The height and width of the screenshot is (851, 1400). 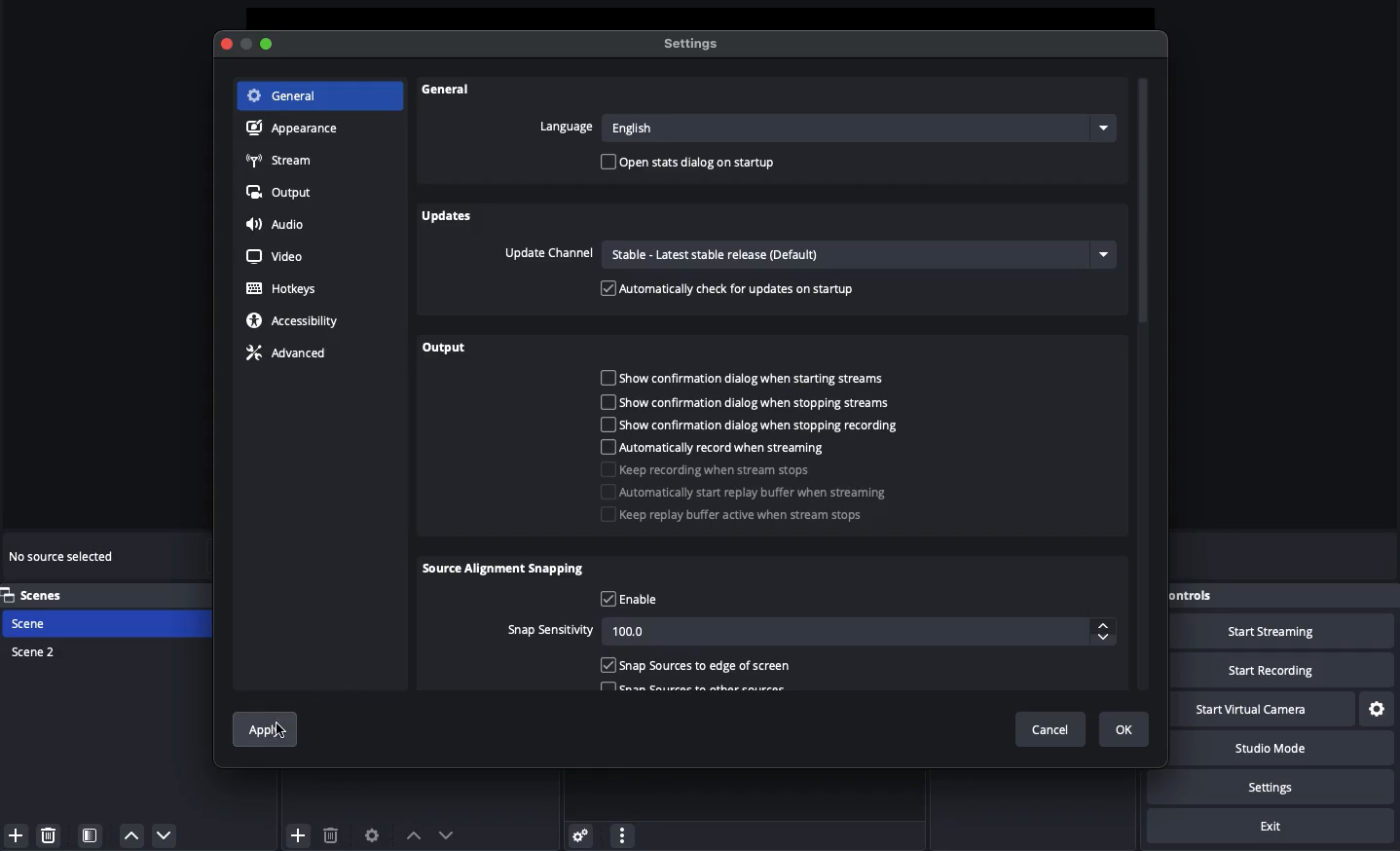 What do you see at coordinates (298, 833) in the screenshot?
I see `Add` at bounding box center [298, 833].